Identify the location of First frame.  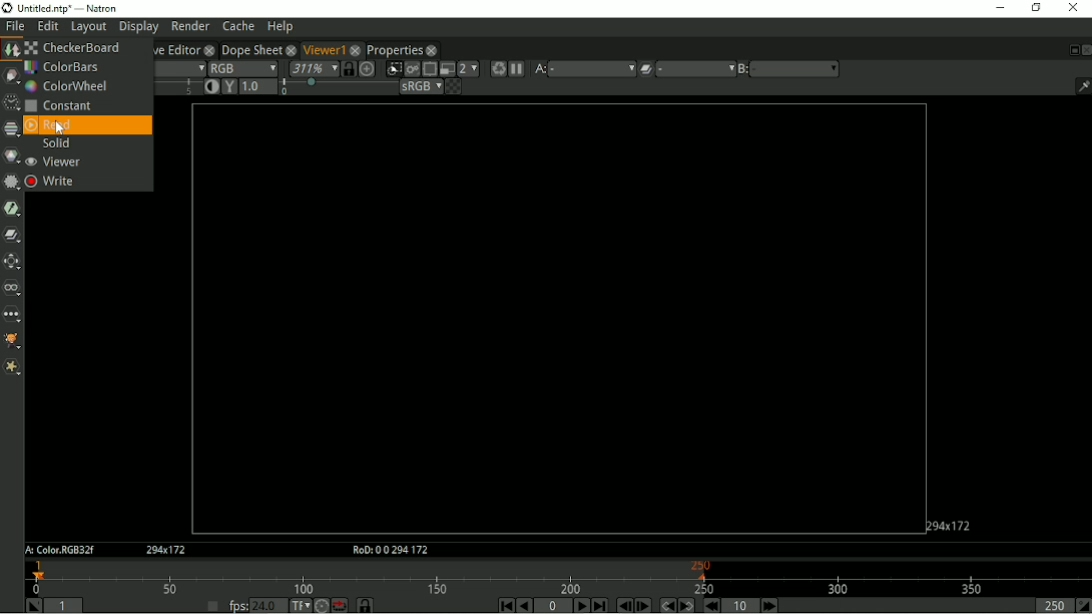
(505, 605).